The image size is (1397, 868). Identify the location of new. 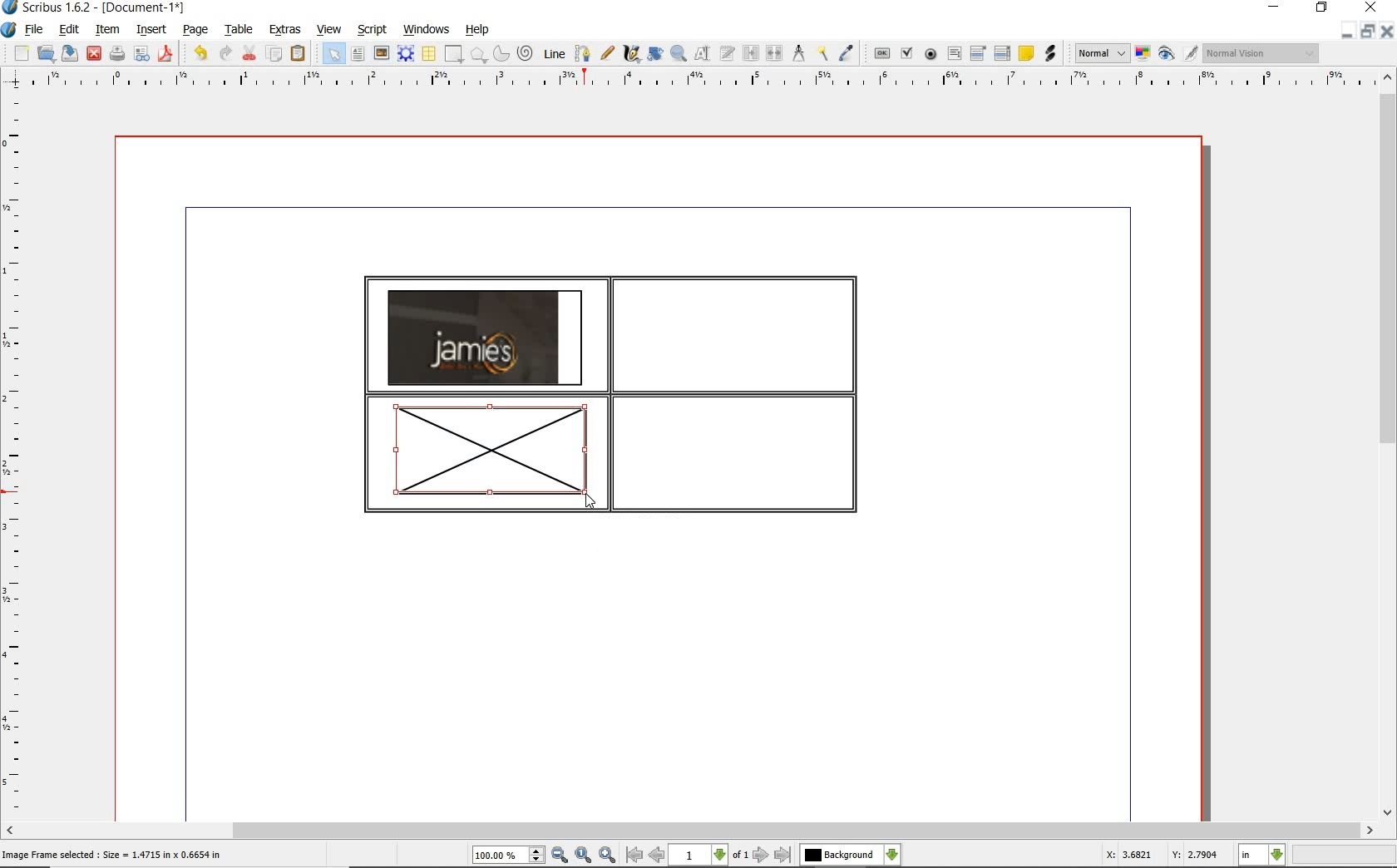
(22, 55).